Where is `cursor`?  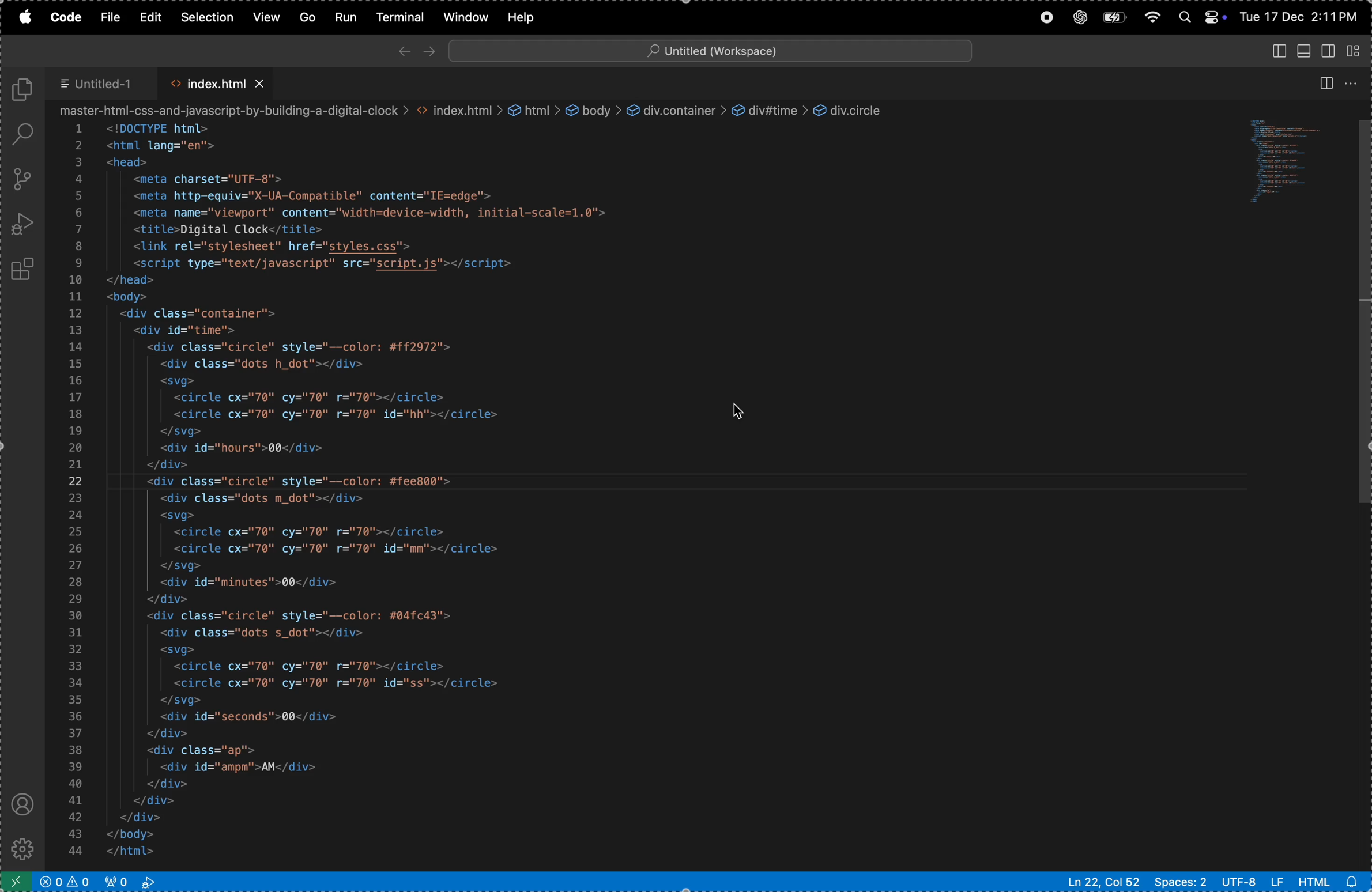
cursor is located at coordinates (742, 411).